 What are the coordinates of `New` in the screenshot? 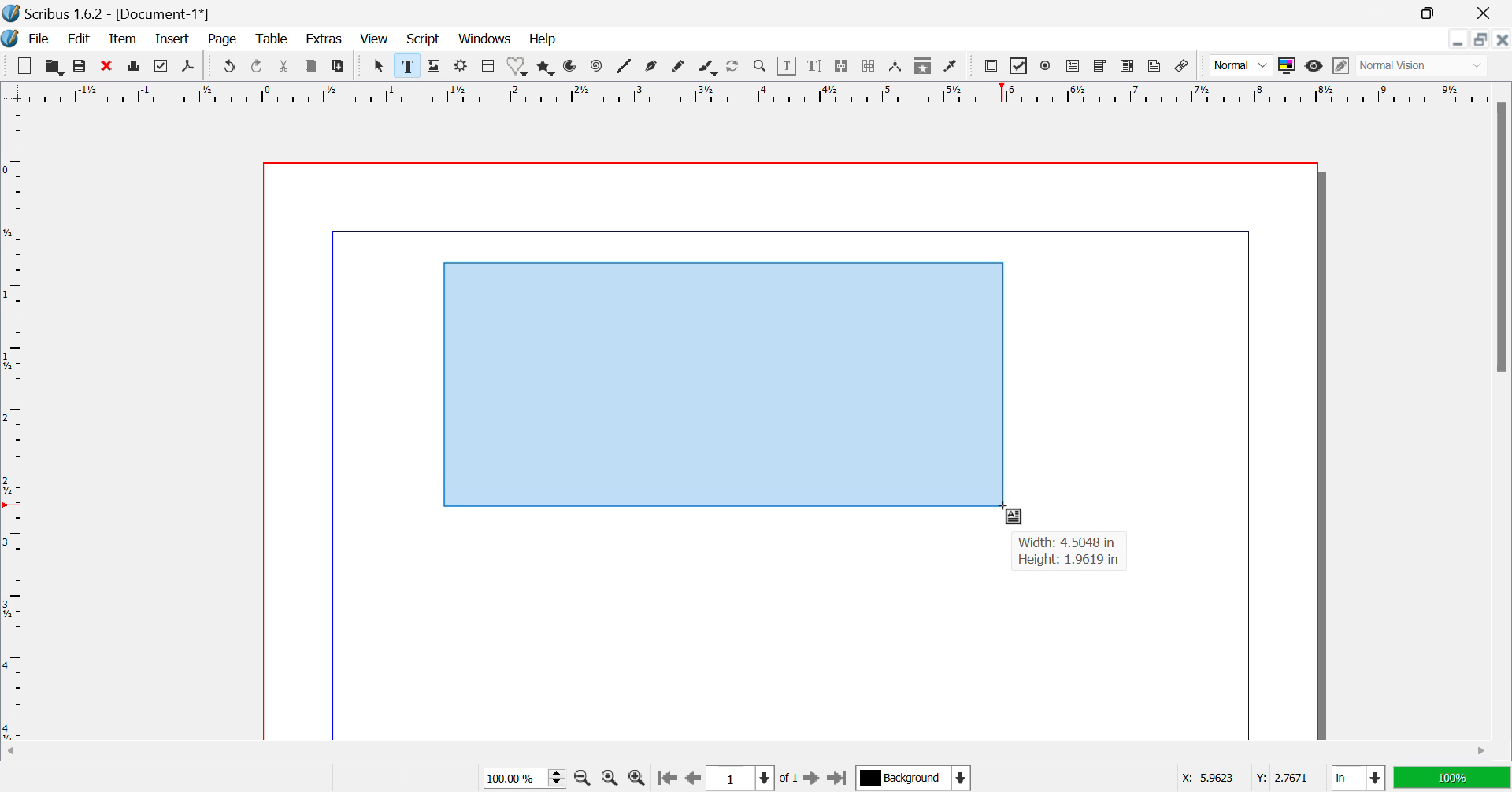 It's located at (24, 65).